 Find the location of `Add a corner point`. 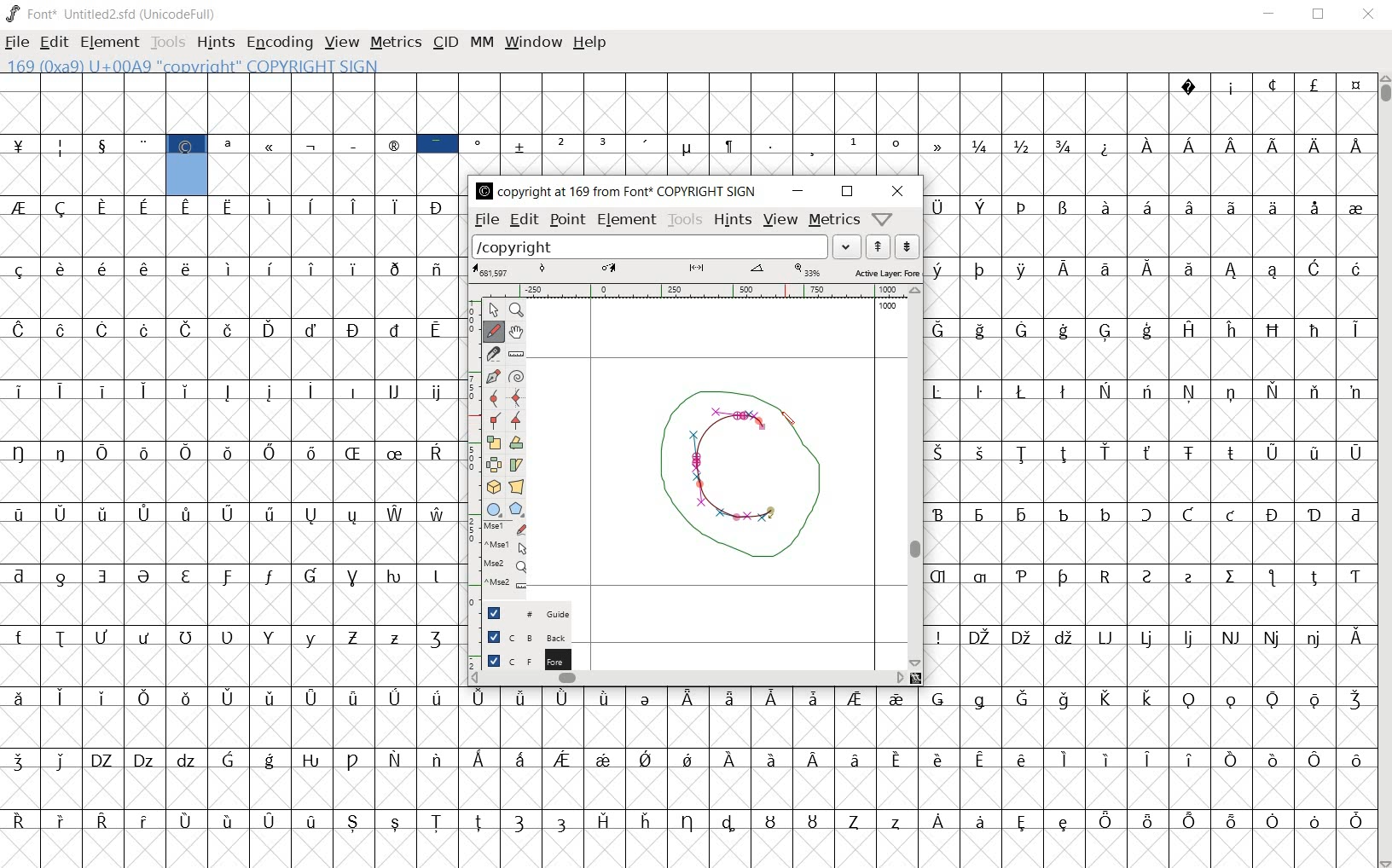

Add a corner point is located at coordinates (516, 421).